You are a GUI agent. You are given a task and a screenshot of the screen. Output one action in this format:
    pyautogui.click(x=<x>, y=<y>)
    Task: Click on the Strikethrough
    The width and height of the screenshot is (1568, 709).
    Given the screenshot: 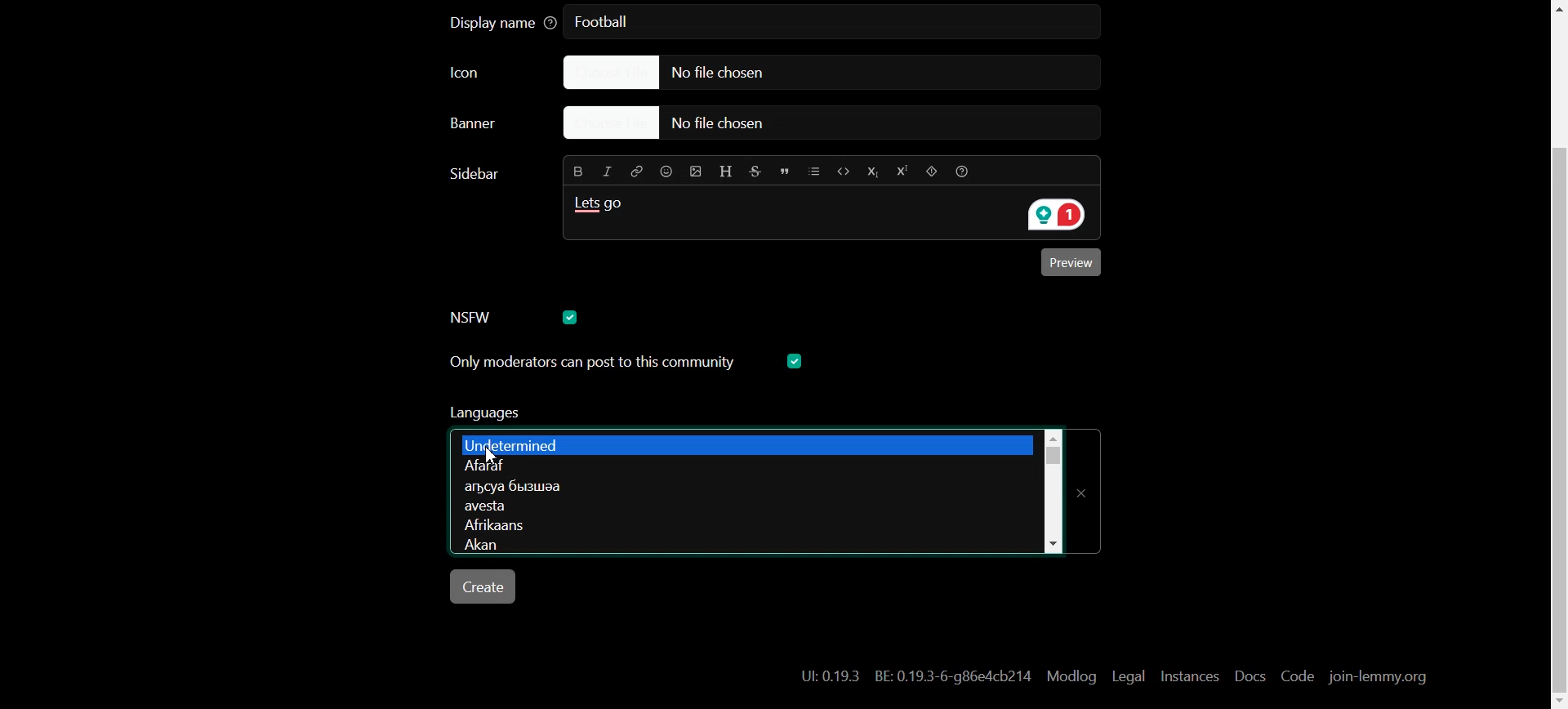 What is the action you would take?
    pyautogui.click(x=757, y=170)
    